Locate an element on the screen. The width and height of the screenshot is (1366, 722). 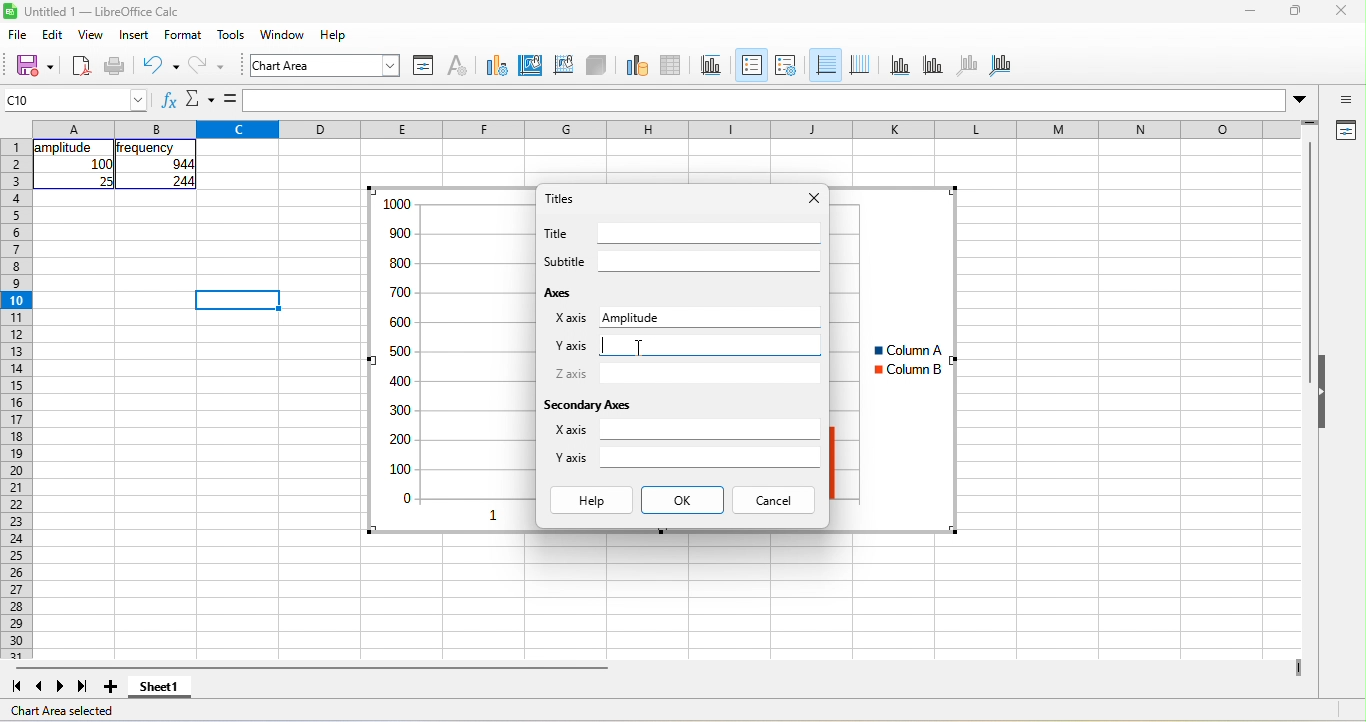
chart area  is located at coordinates (531, 66).